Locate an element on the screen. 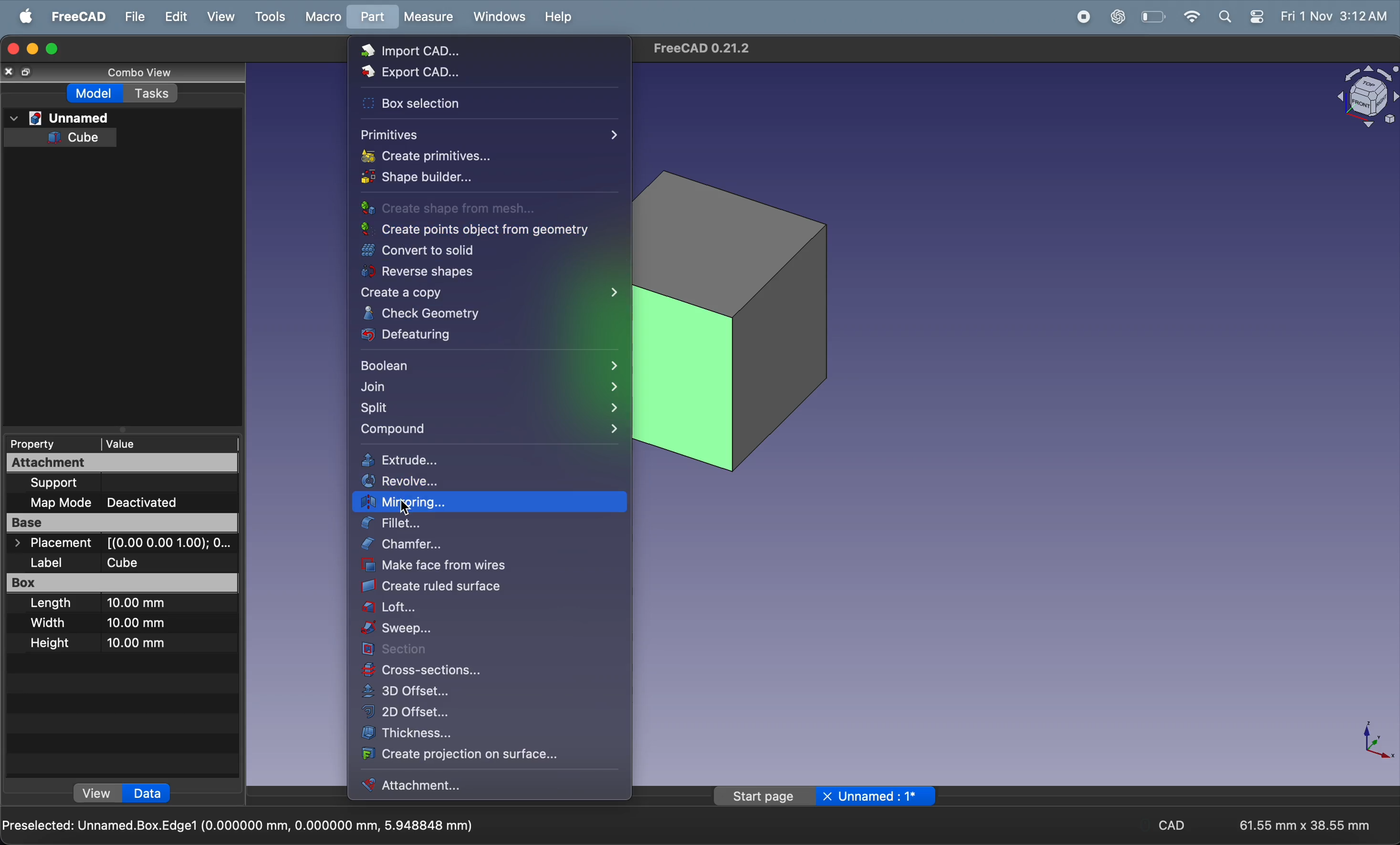  maximize is located at coordinates (52, 49).